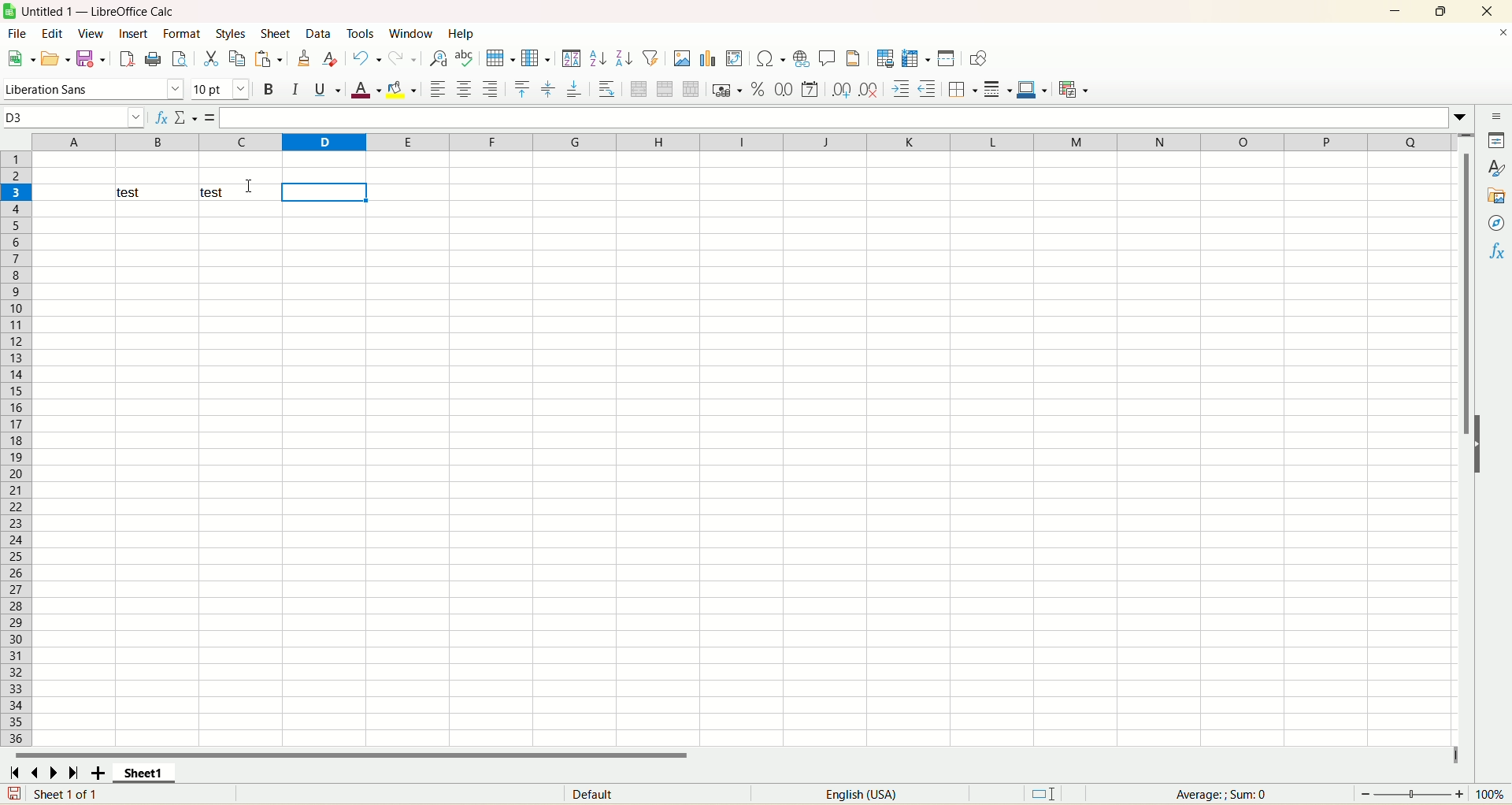  I want to click on horizontal scroll bar, so click(733, 753).